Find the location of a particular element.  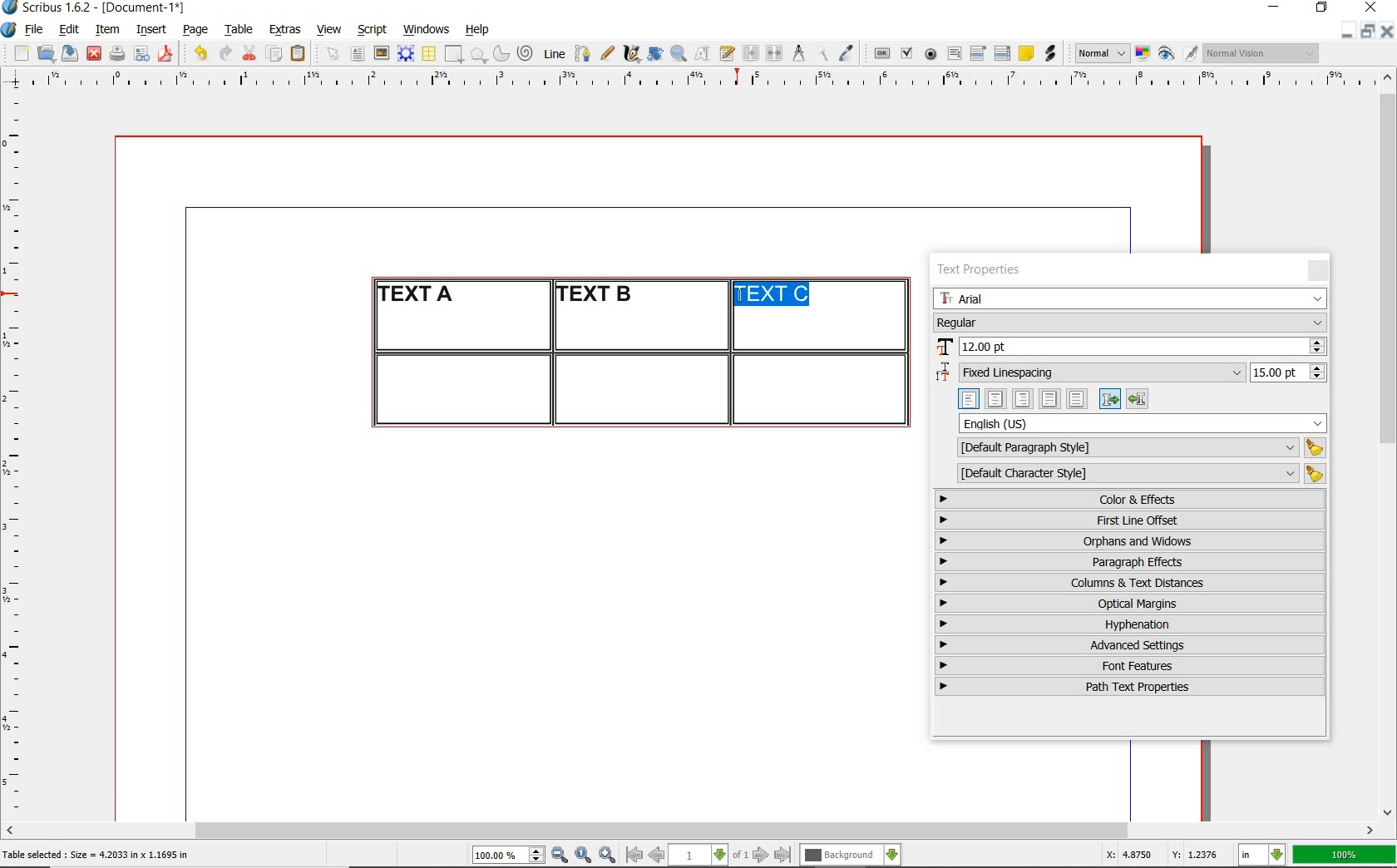

polygon is located at coordinates (478, 54).